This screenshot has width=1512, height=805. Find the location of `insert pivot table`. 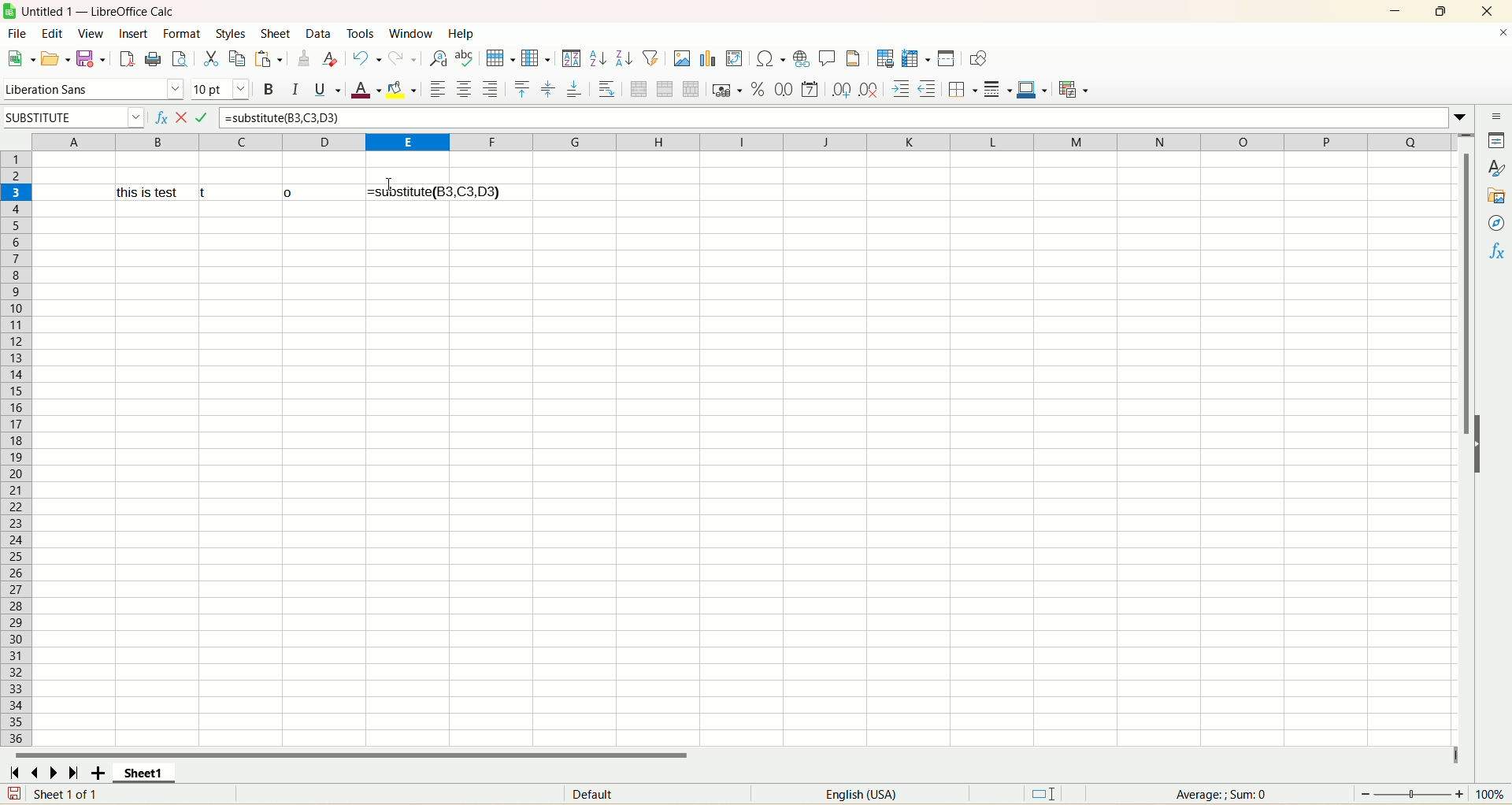

insert pivot table is located at coordinates (735, 59).